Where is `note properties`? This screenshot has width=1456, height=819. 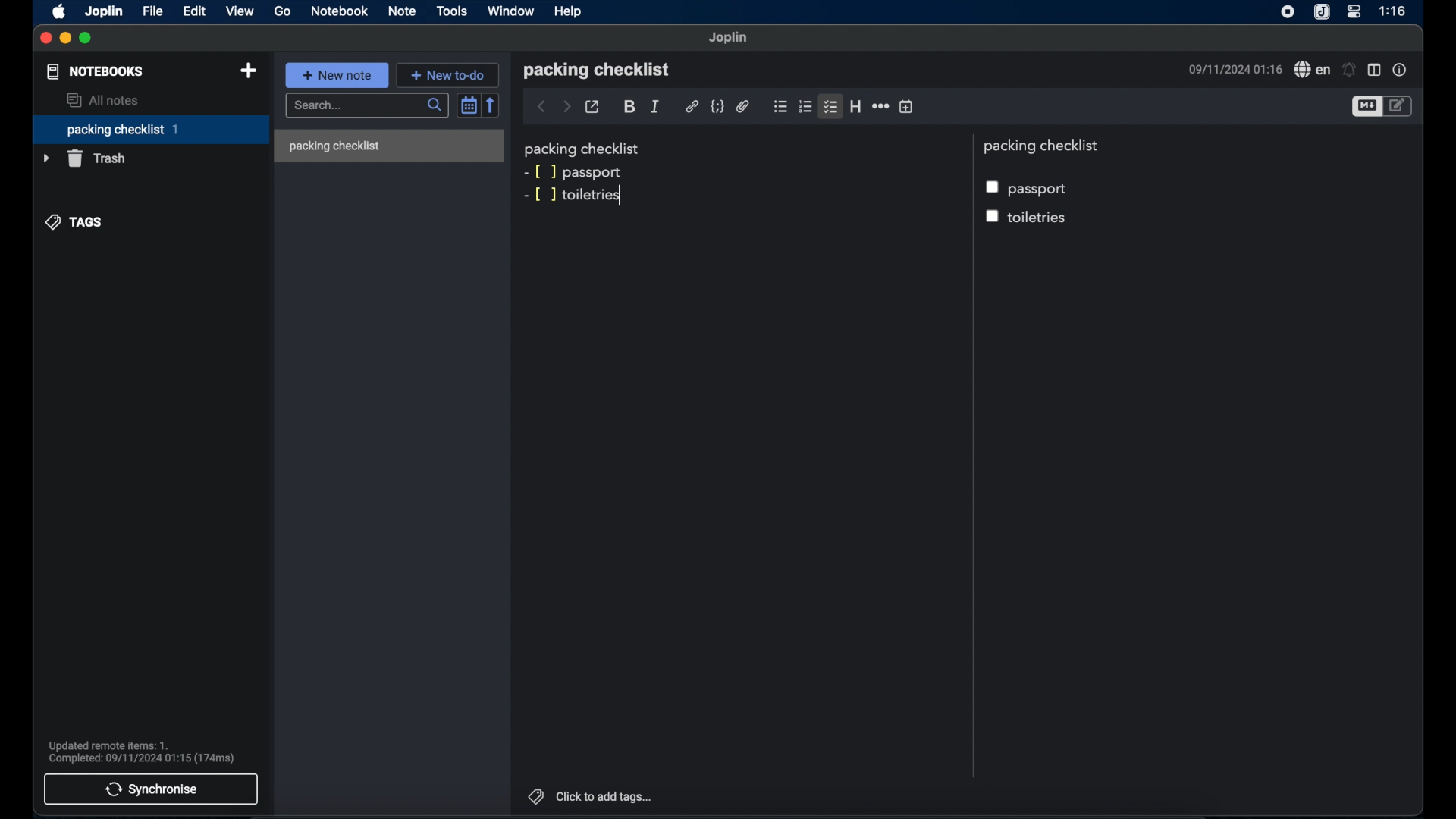
note properties is located at coordinates (1401, 70).